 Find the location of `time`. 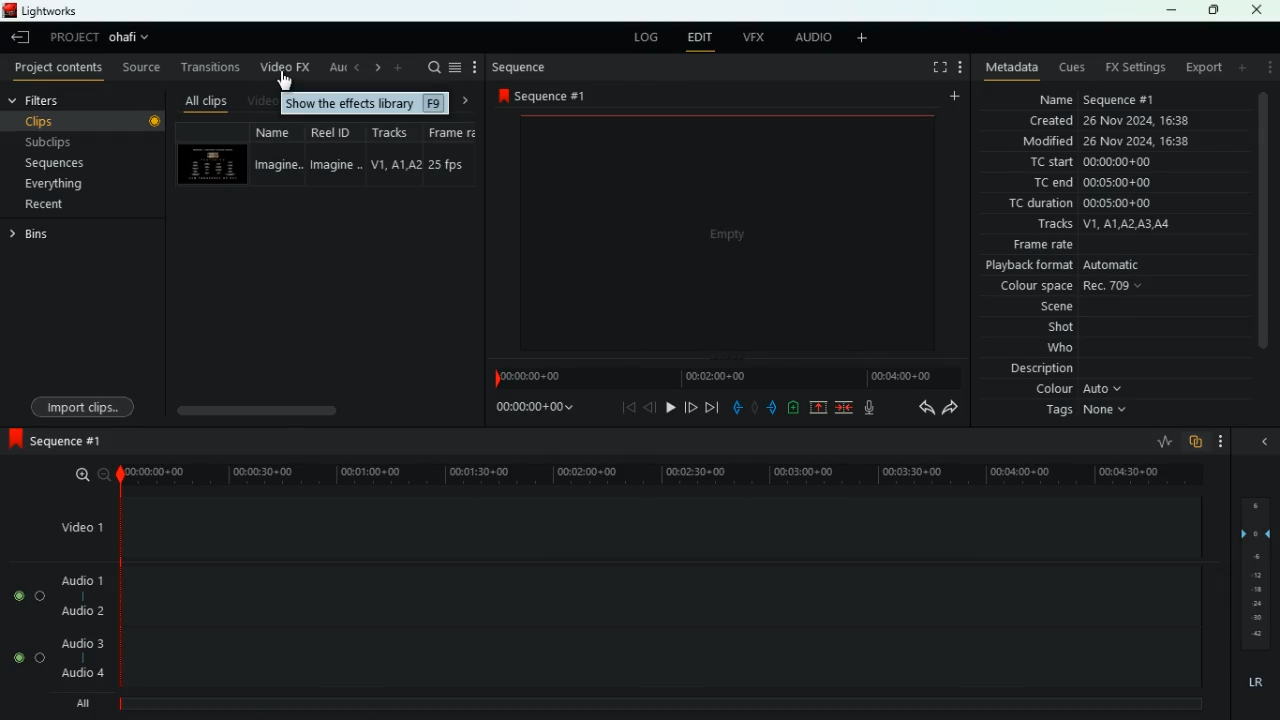

time is located at coordinates (726, 377).